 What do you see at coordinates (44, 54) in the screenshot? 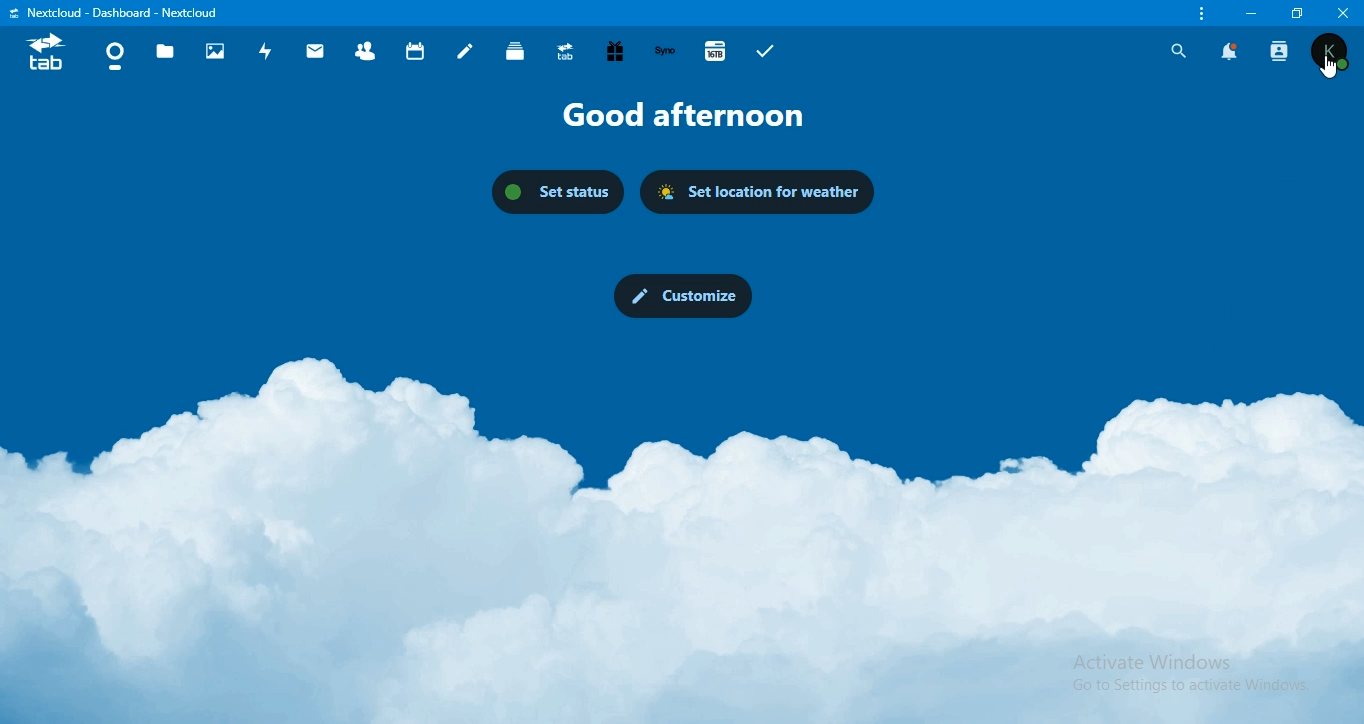
I see `icon` at bounding box center [44, 54].